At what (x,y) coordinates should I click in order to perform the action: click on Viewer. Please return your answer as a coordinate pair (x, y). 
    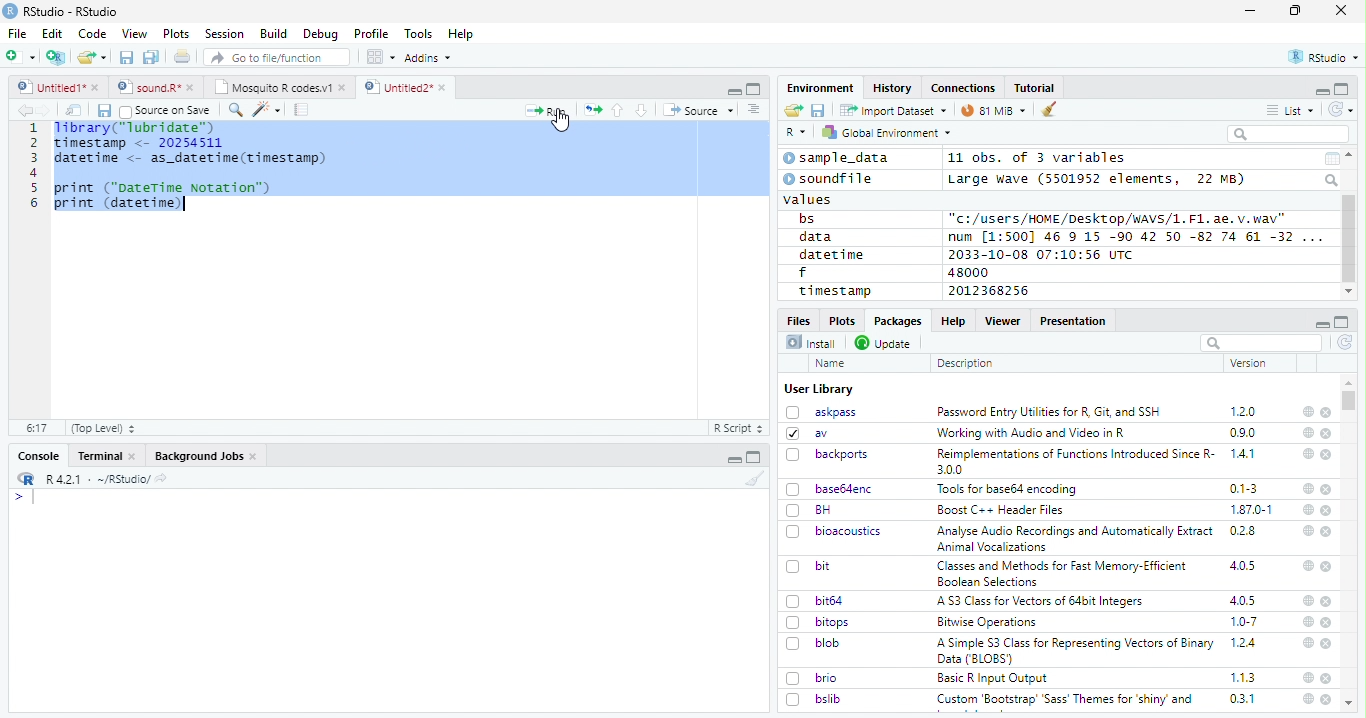
    Looking at the image, I should click on (1003, 320).